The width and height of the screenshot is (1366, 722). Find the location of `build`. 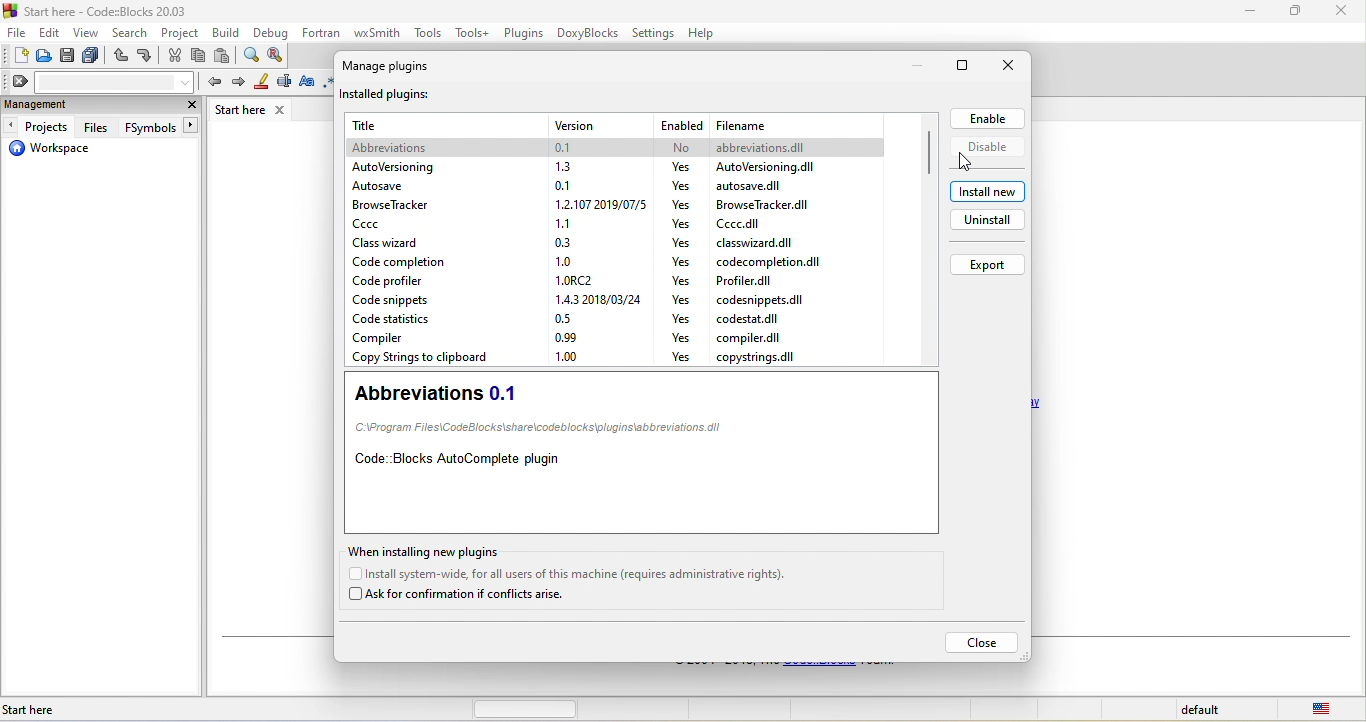

build is located at coordinates (227, 32).